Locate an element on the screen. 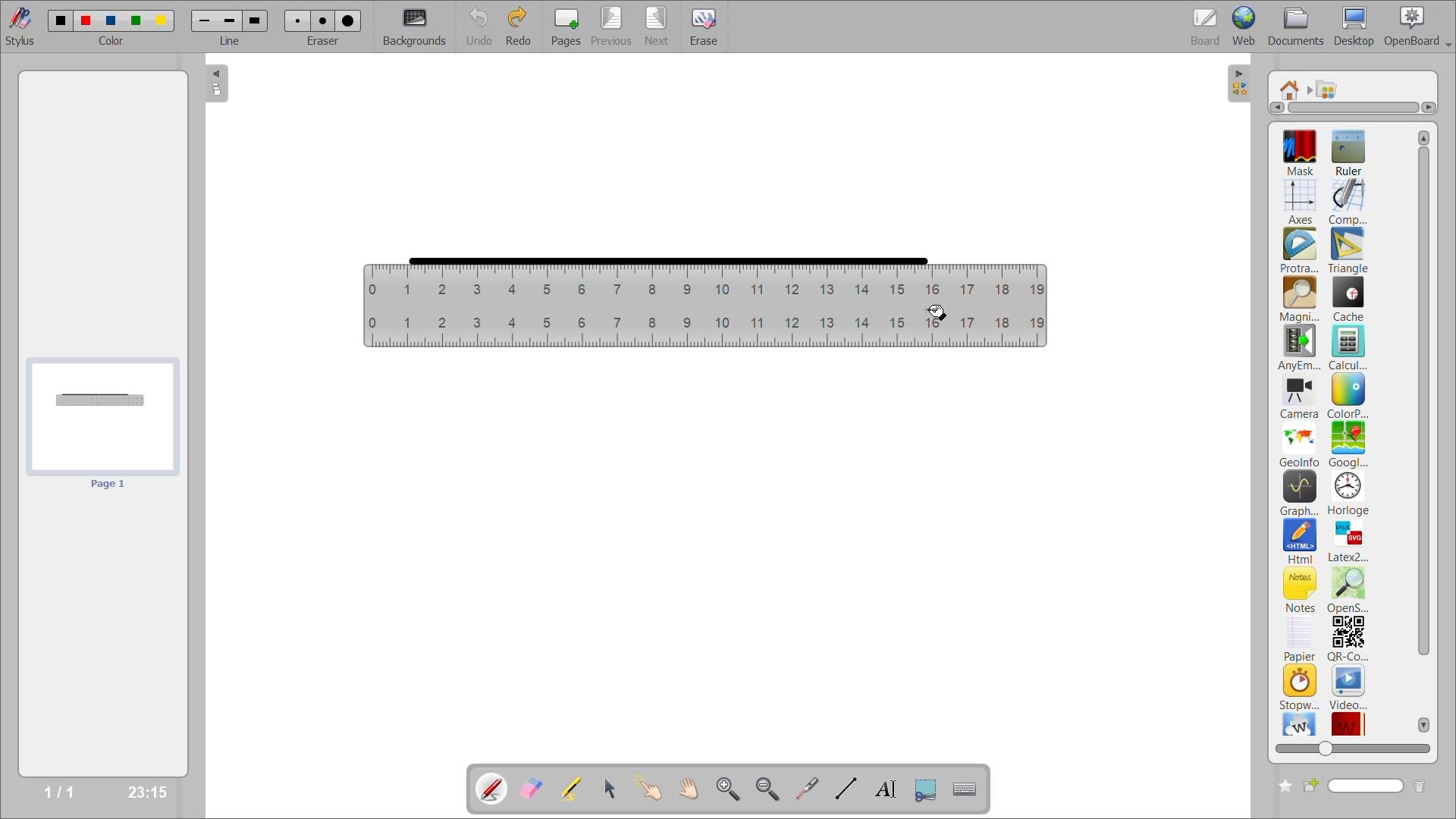  highlight is located at coordinates (576, 790).